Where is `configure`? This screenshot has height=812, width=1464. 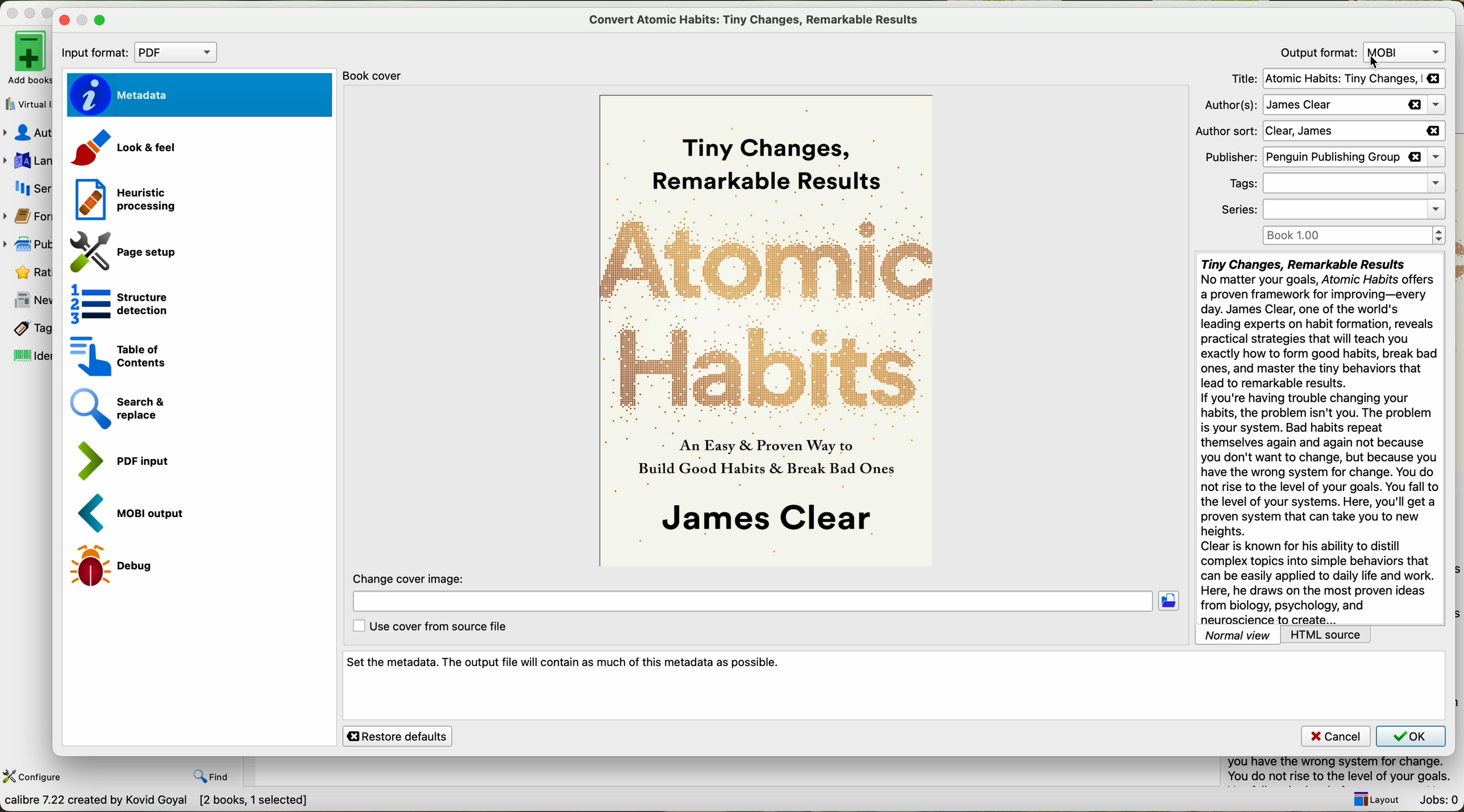 configure is located at coordinates (34, 777).